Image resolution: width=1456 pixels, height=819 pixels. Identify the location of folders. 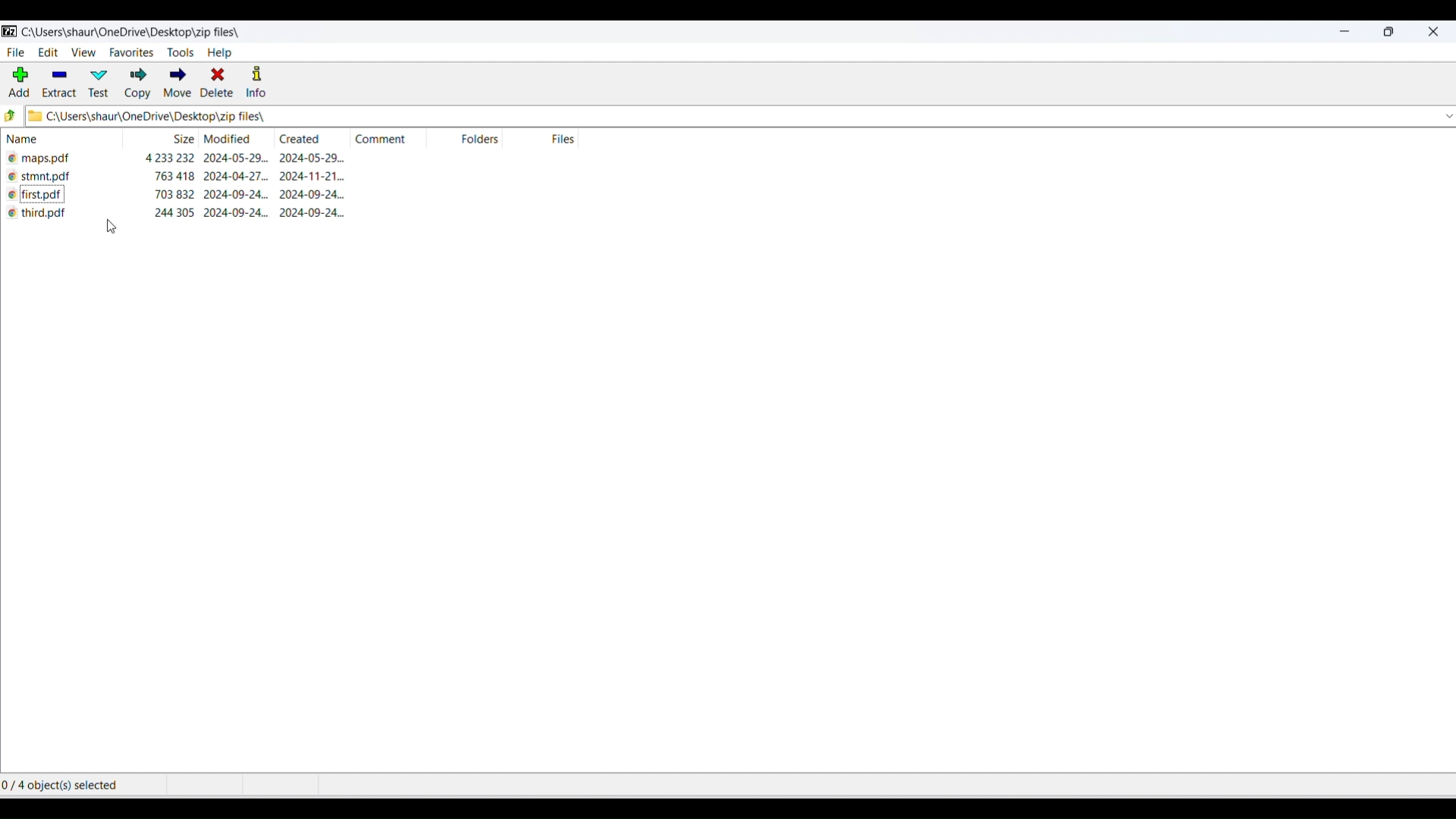
(485, 142).